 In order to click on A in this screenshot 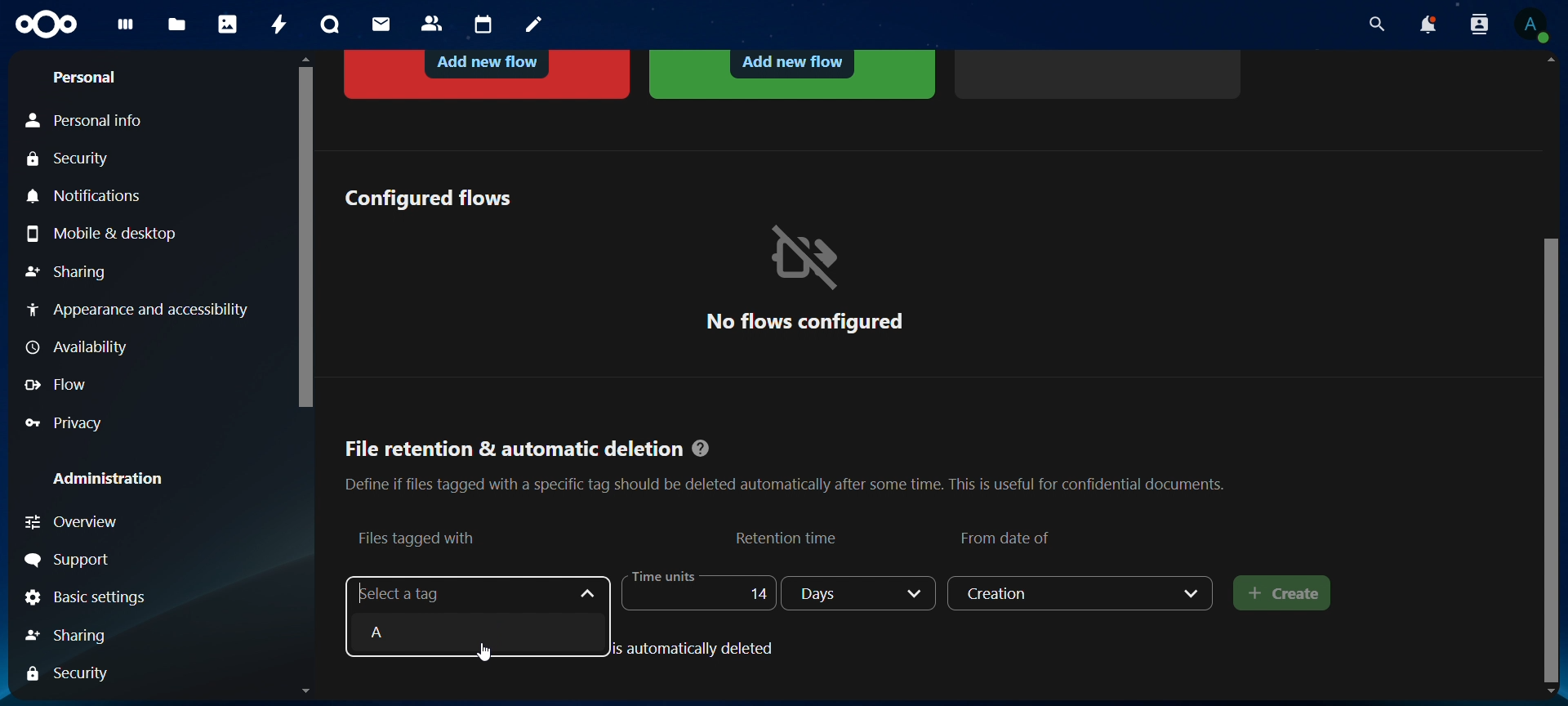, I will do `click(472, 632)`.